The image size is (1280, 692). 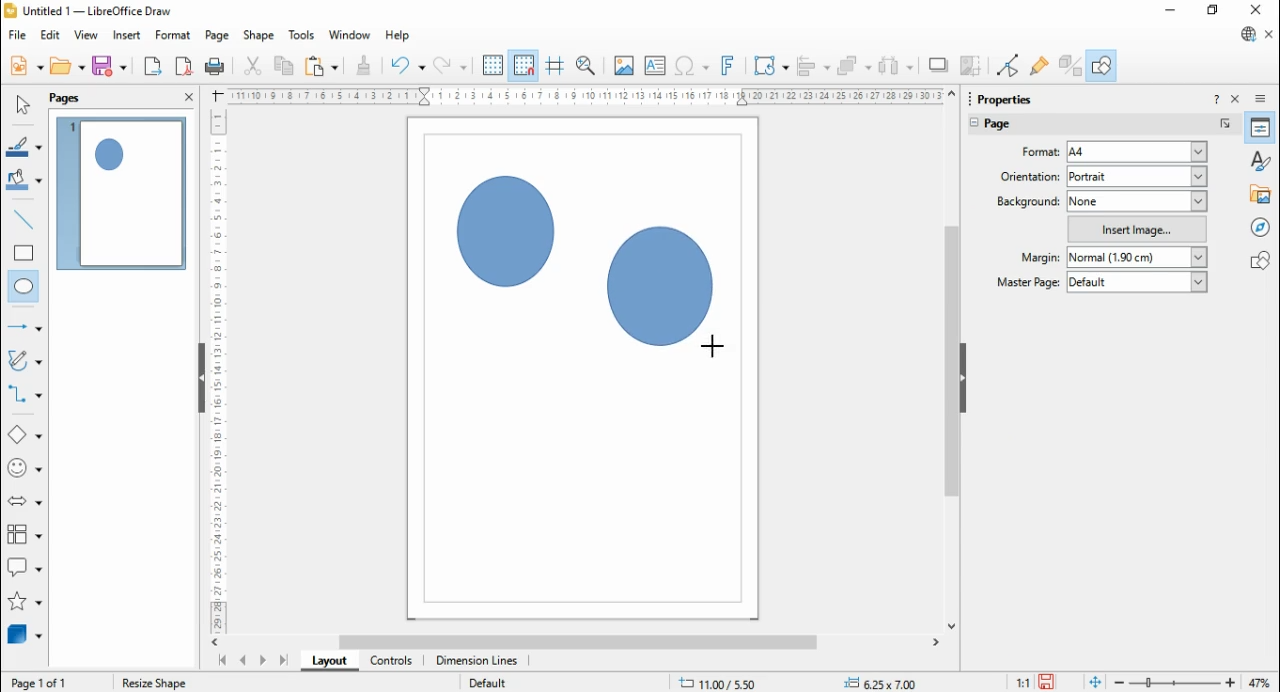 What do you see at coordinates (693, 65) in the screenshot?
I see `insert special characters` at bounding box center [693, 65].